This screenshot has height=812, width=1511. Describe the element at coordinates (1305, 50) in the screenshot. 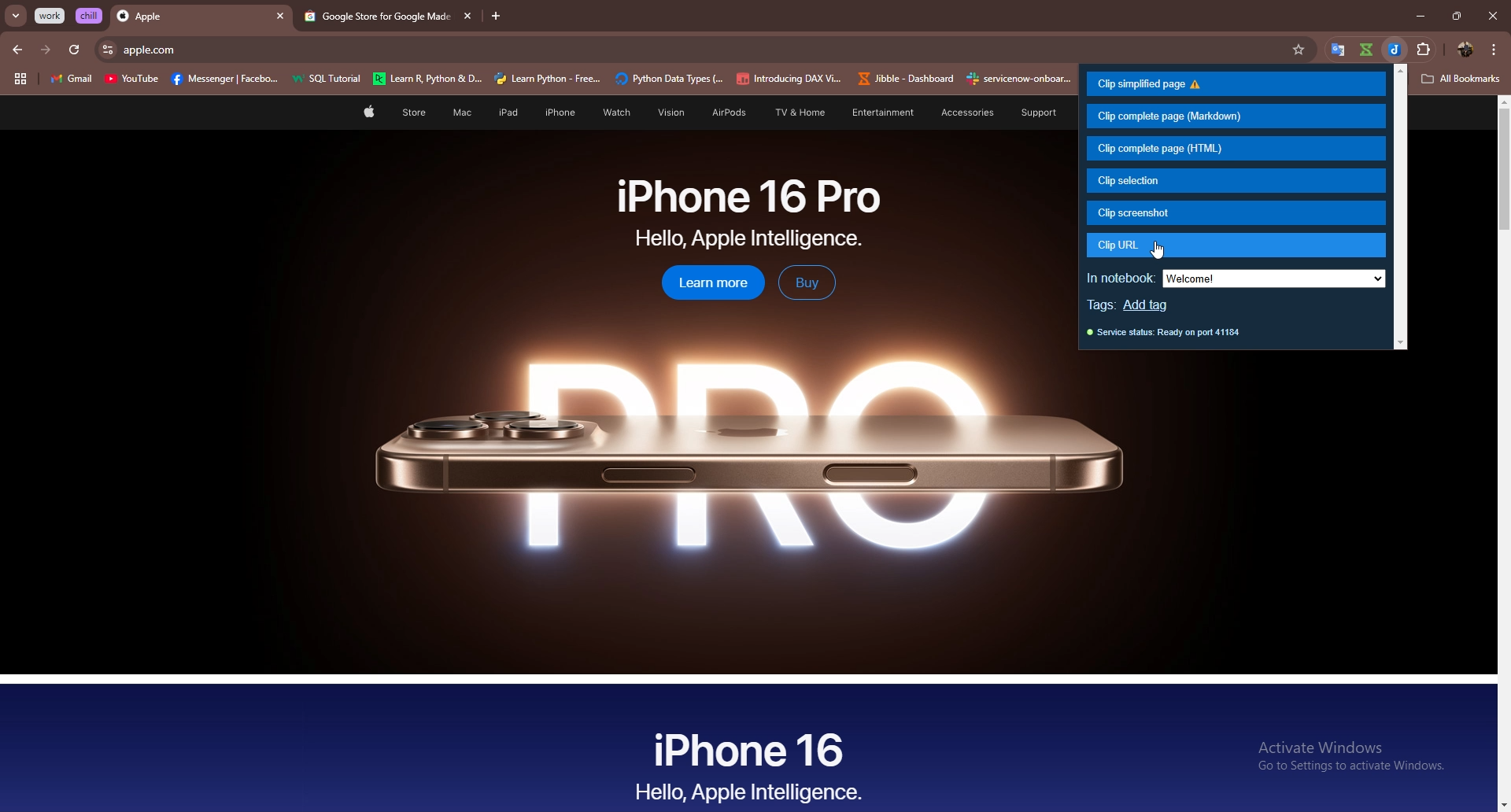

I see `favorites` at that location.